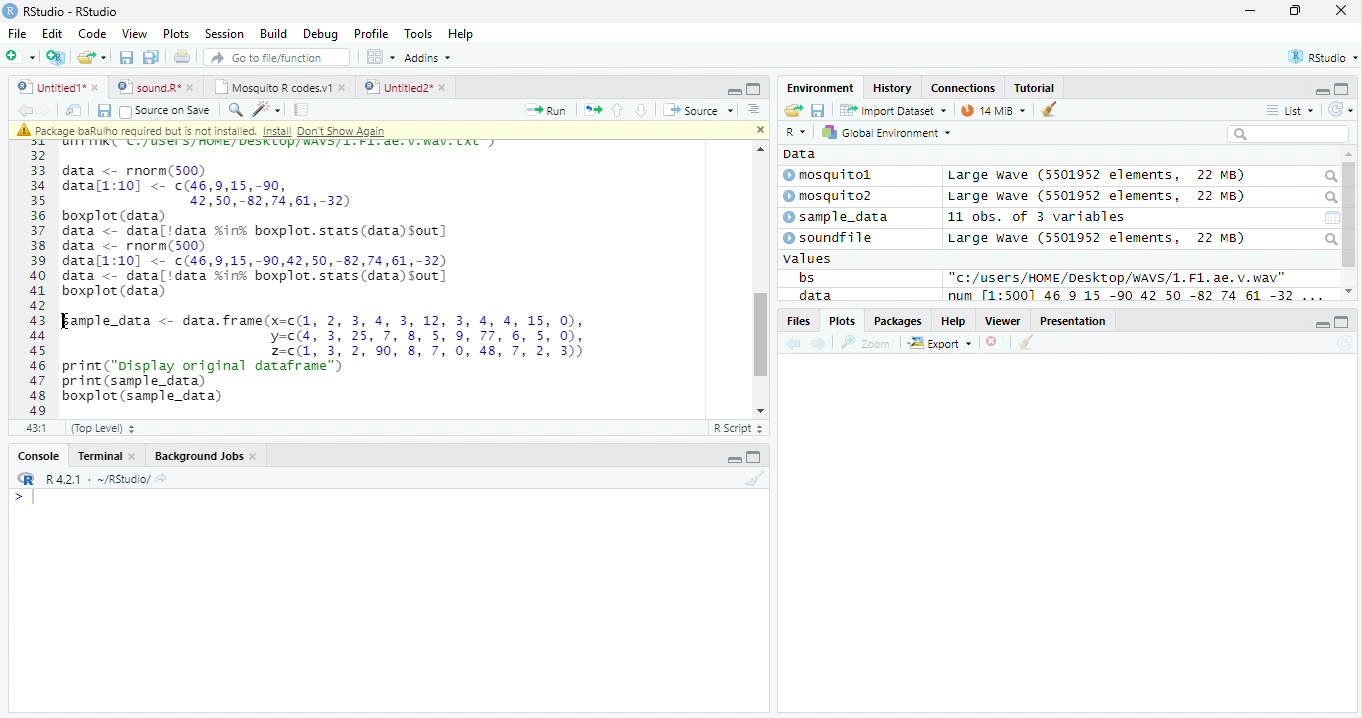 The width and height of the screenshot is (1362, 718). What do you see at coordinates (21, 57) in the screenshot?
I see `new file` at bounding box center [21, 57].